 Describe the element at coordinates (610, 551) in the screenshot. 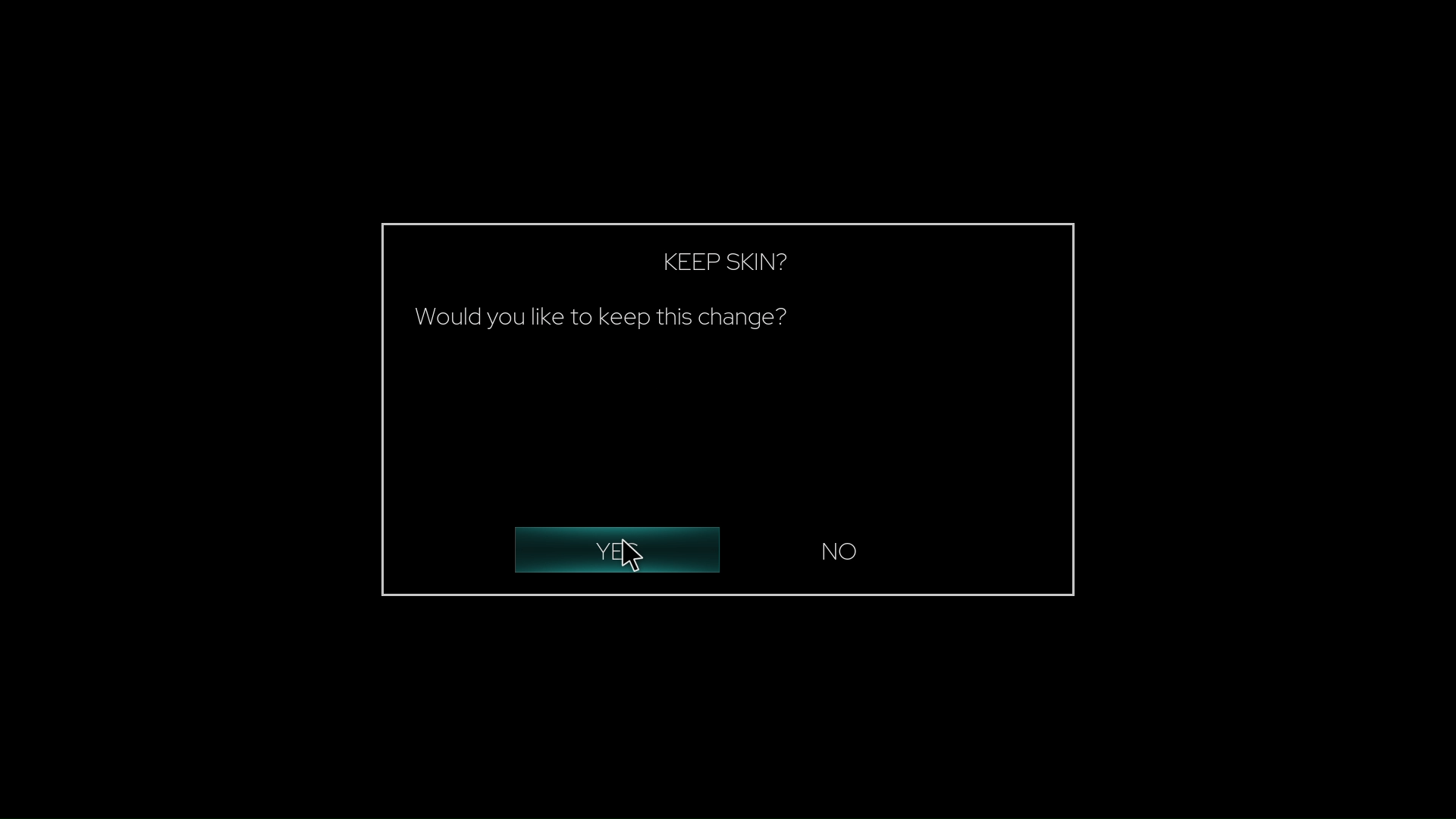

I see `yes` at that location.